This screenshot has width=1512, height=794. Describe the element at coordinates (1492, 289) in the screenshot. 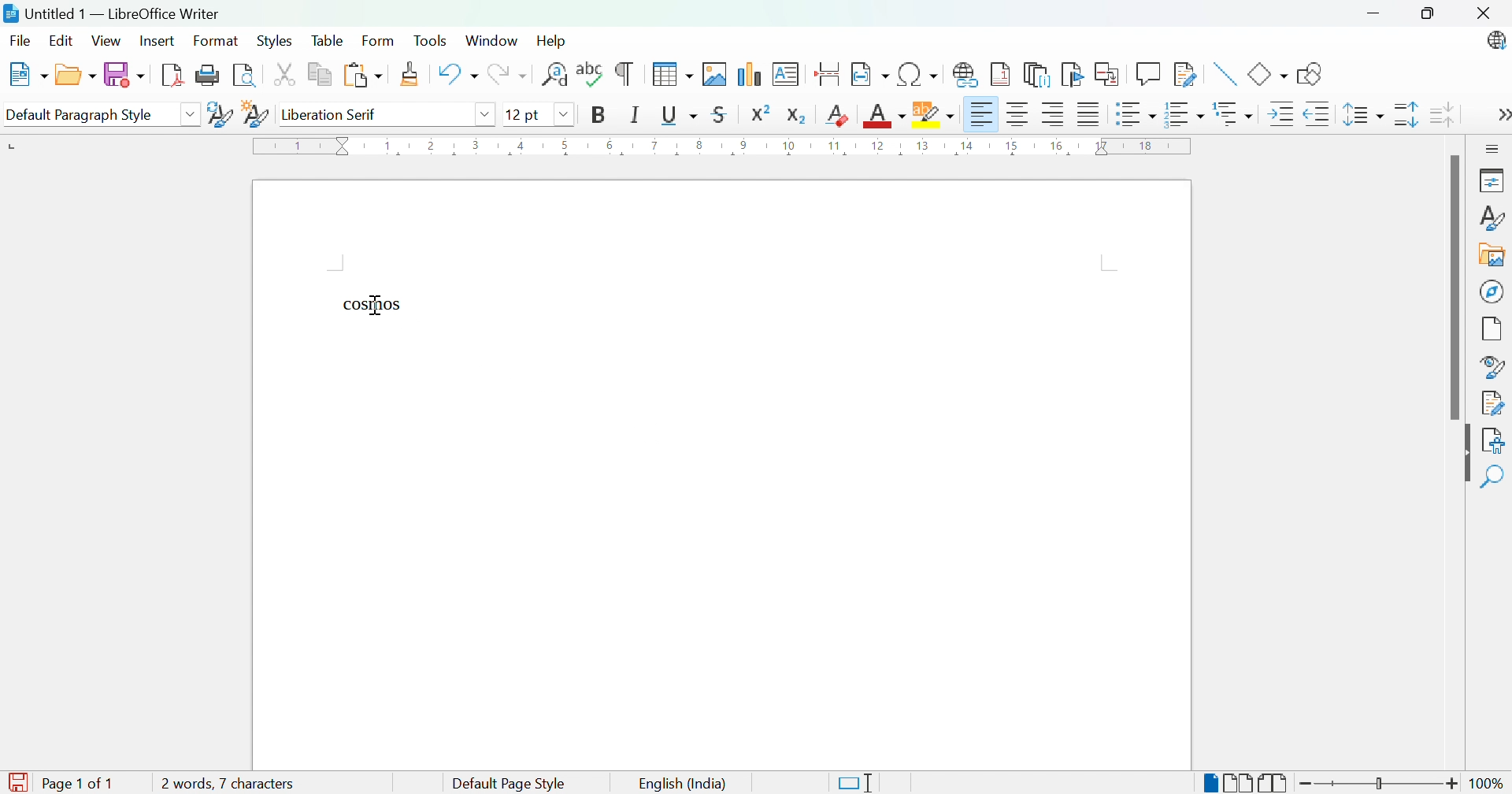

I see `Navigator` at that location.